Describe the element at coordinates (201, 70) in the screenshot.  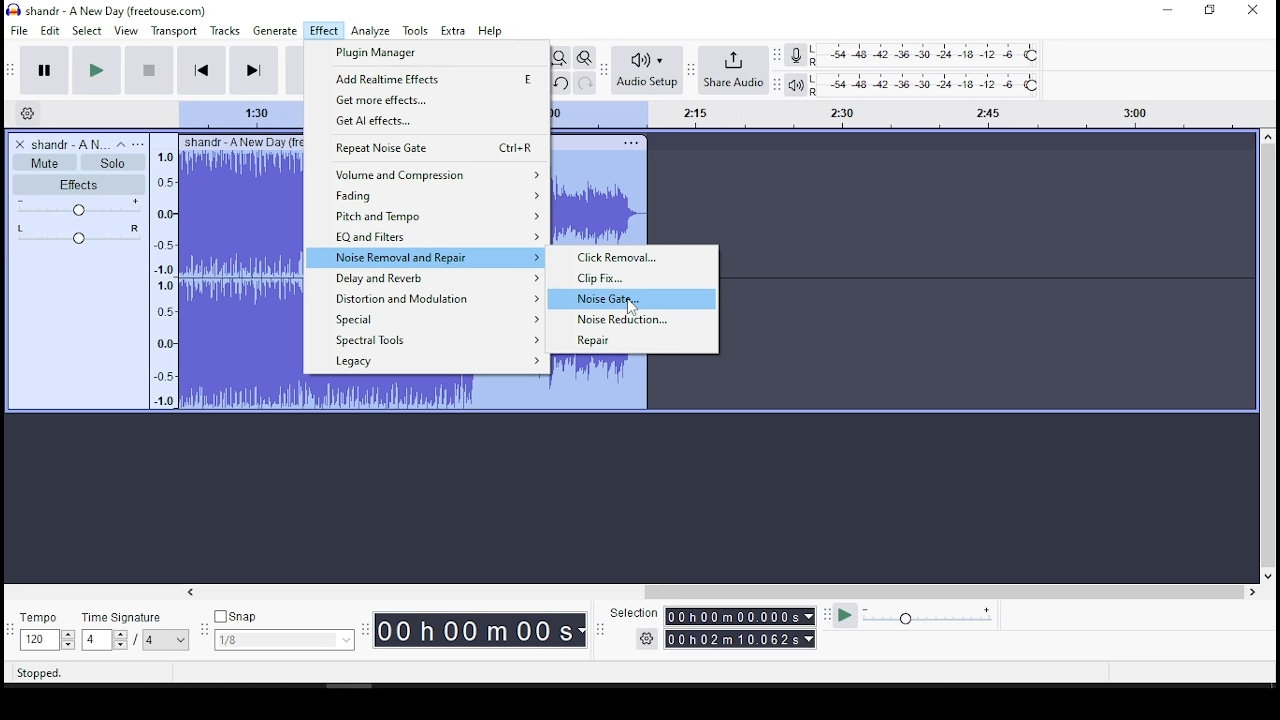
I see `skip to start` at that location.